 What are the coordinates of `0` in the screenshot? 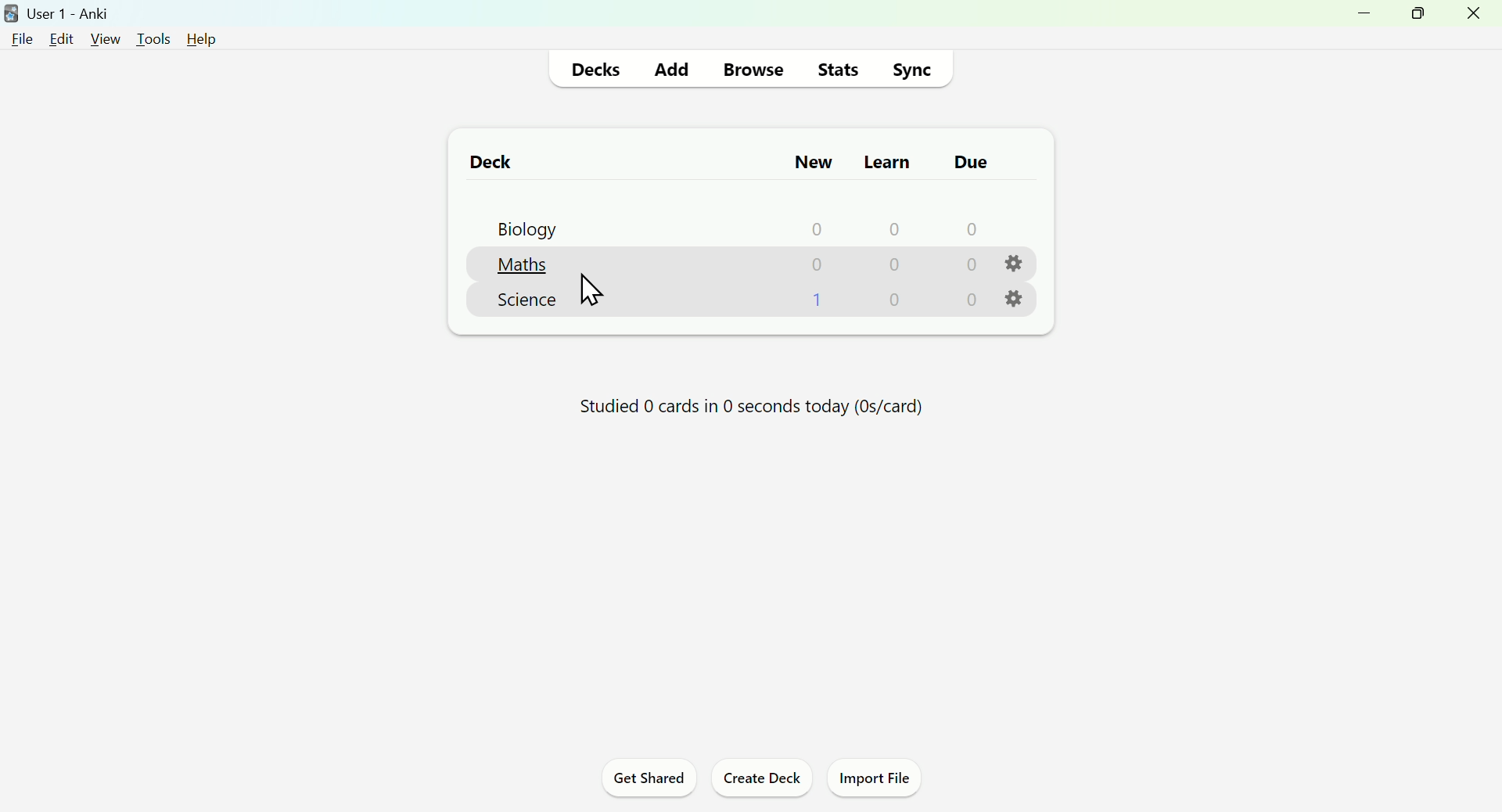 It's located at (969, 300).